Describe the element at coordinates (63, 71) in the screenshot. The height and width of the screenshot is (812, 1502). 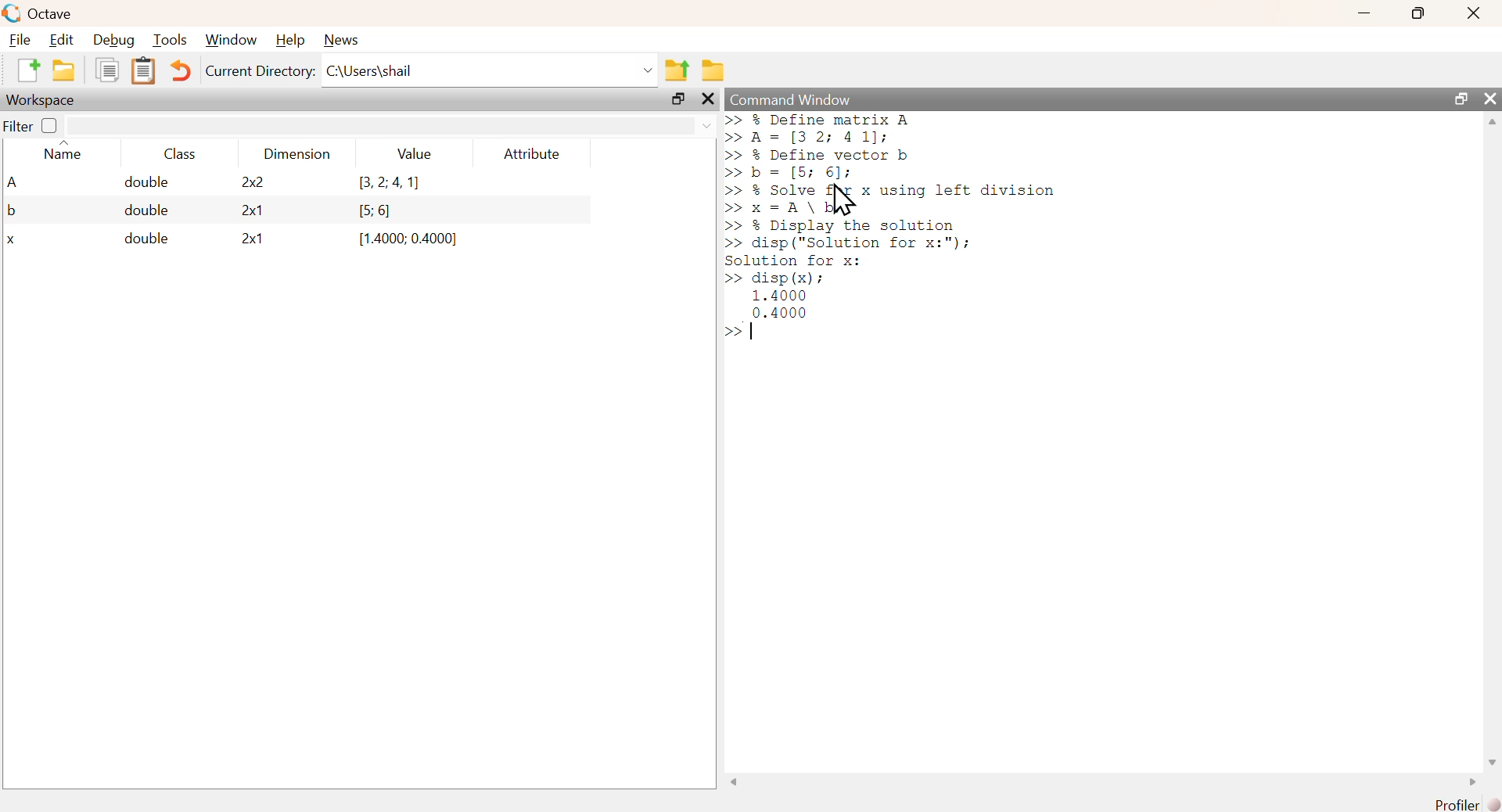
I see `open an existing file in editor` at that location.